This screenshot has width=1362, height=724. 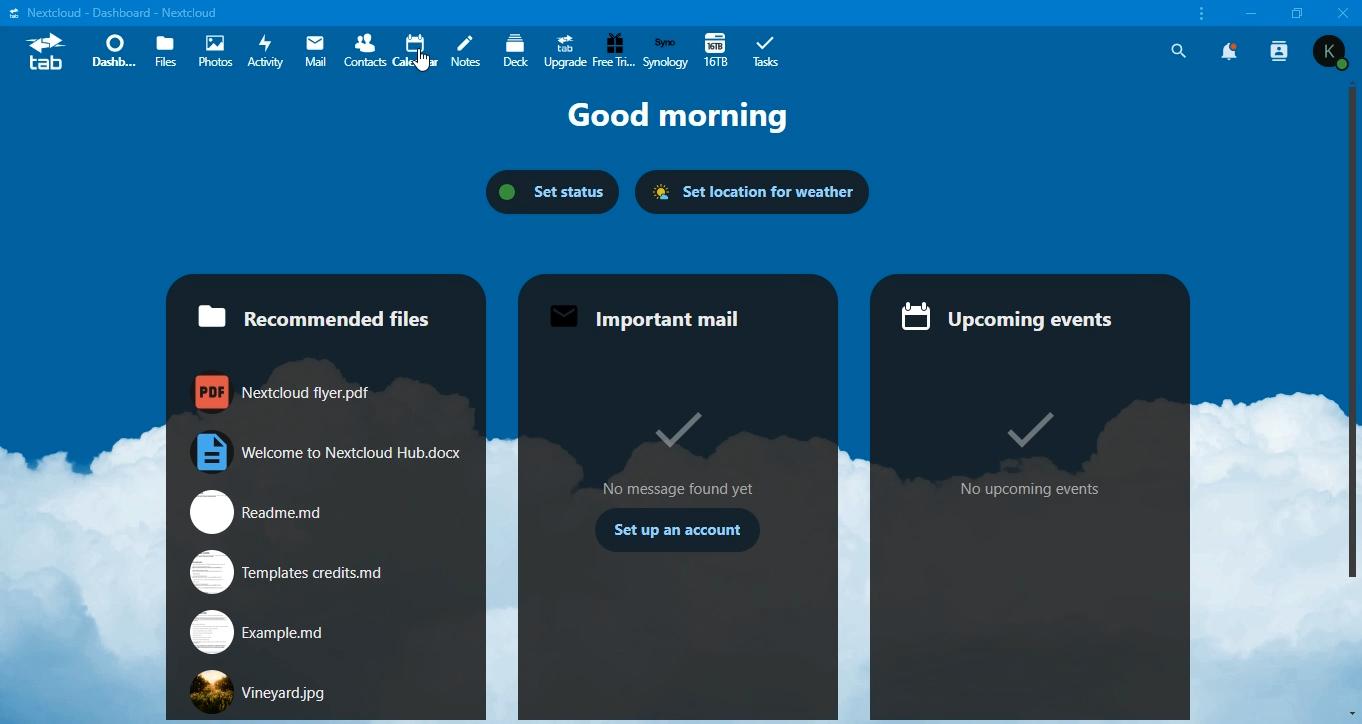 I want to click on search contacts, so click(x=1283, y=54).